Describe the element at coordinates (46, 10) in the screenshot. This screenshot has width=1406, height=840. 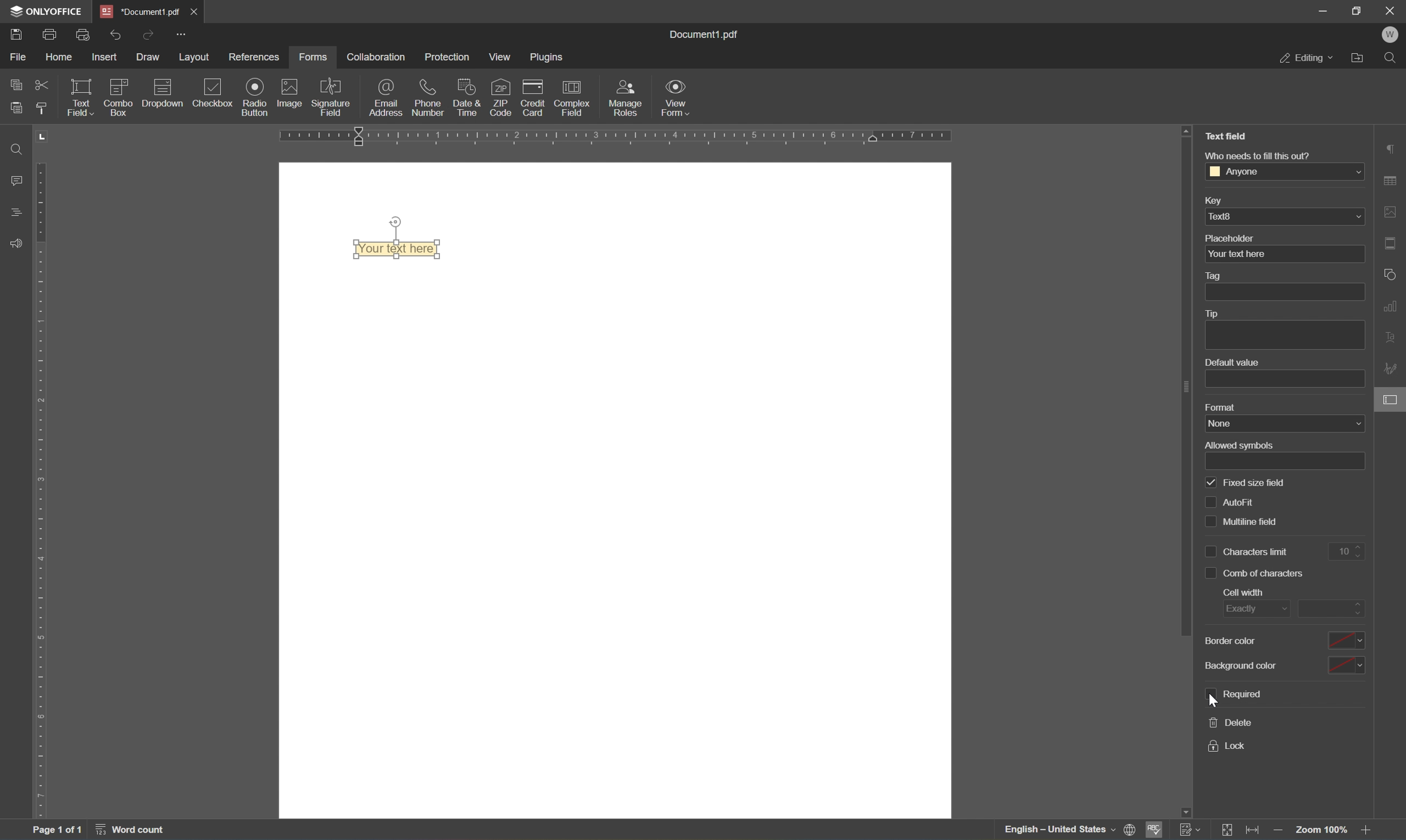
I see `ONLYOFFICE` at that location.